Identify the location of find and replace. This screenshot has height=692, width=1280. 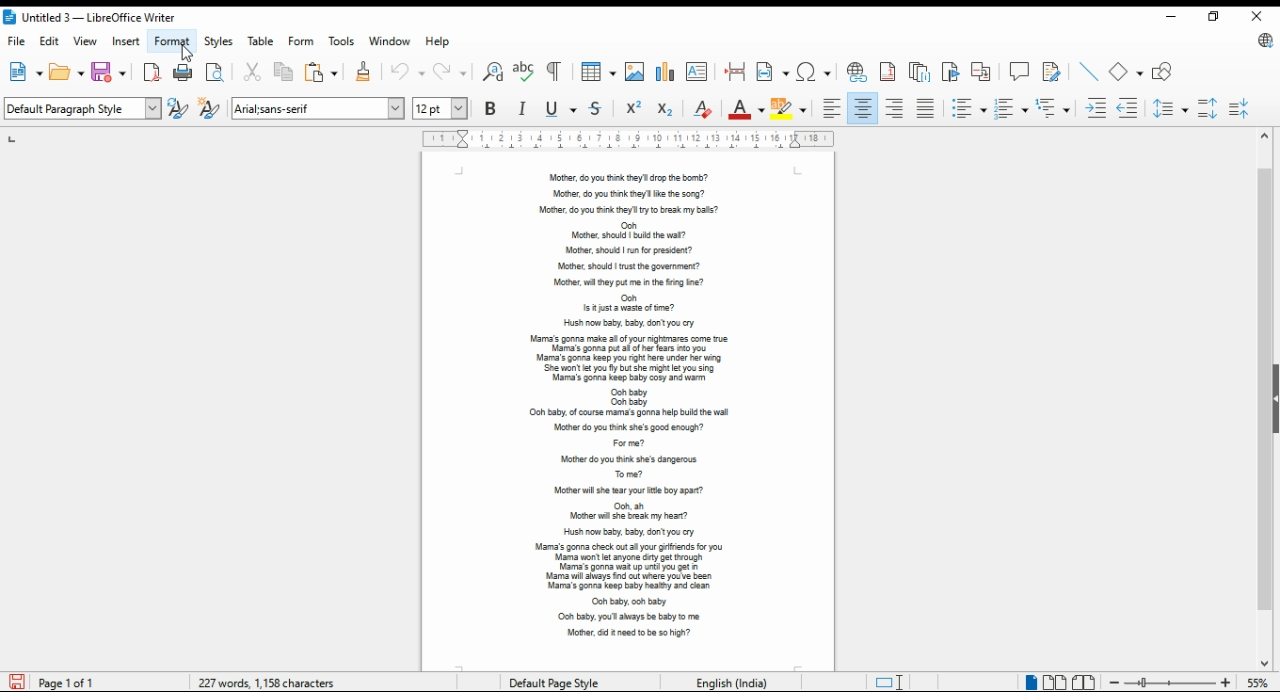
(493, 72).